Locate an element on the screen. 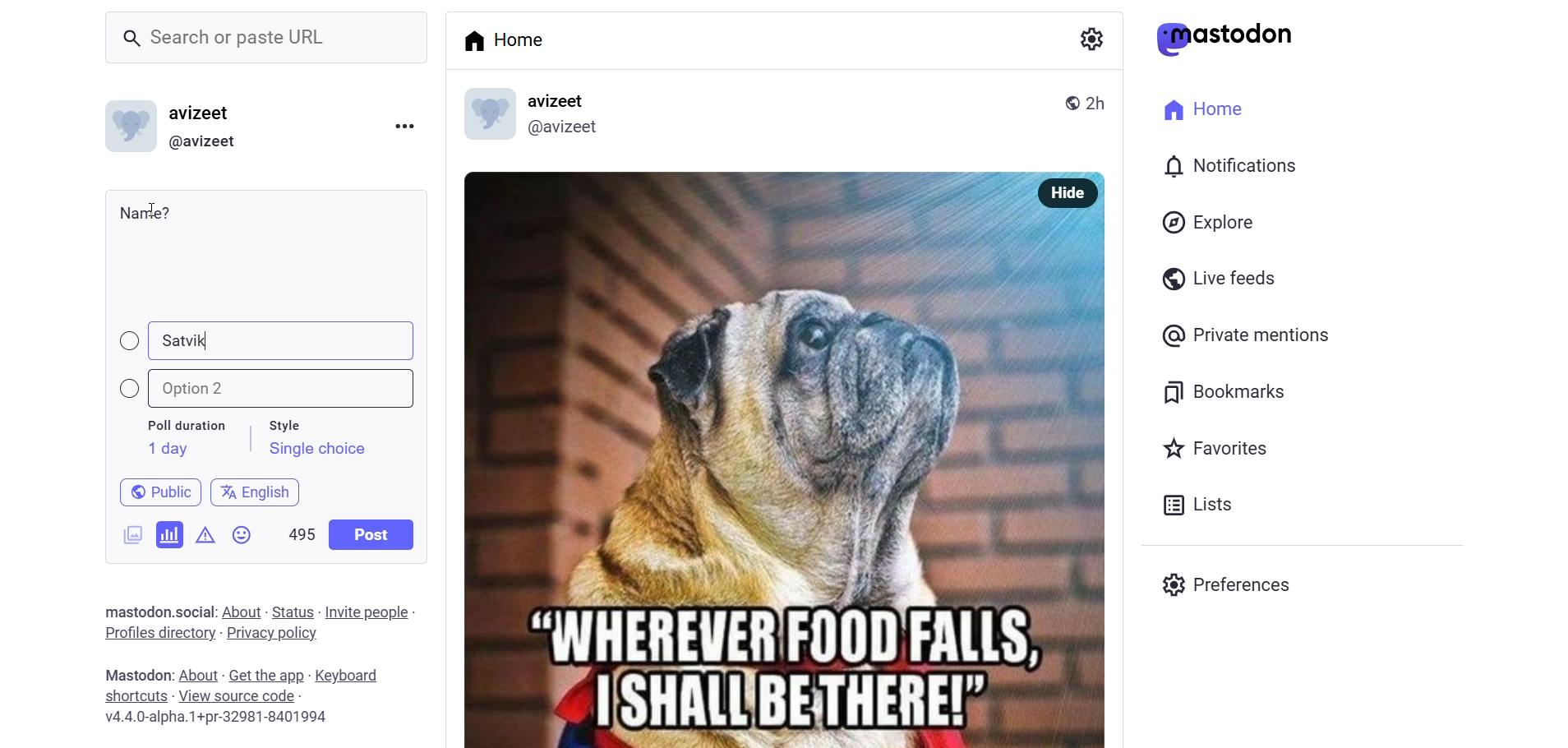  shortcuts is located at coordinates (135, 696).